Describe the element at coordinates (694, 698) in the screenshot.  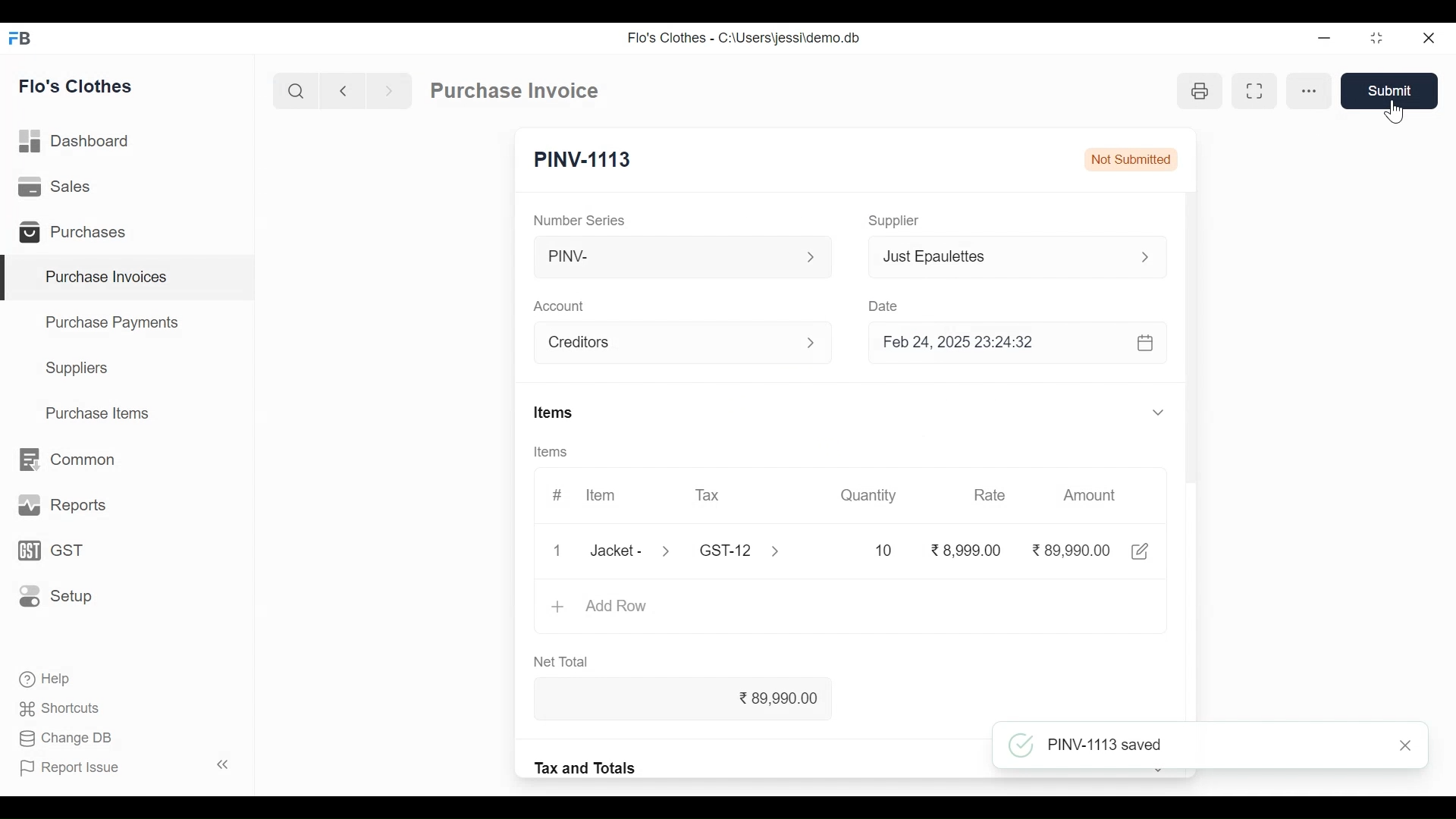
I see `89,990.00` at that location.